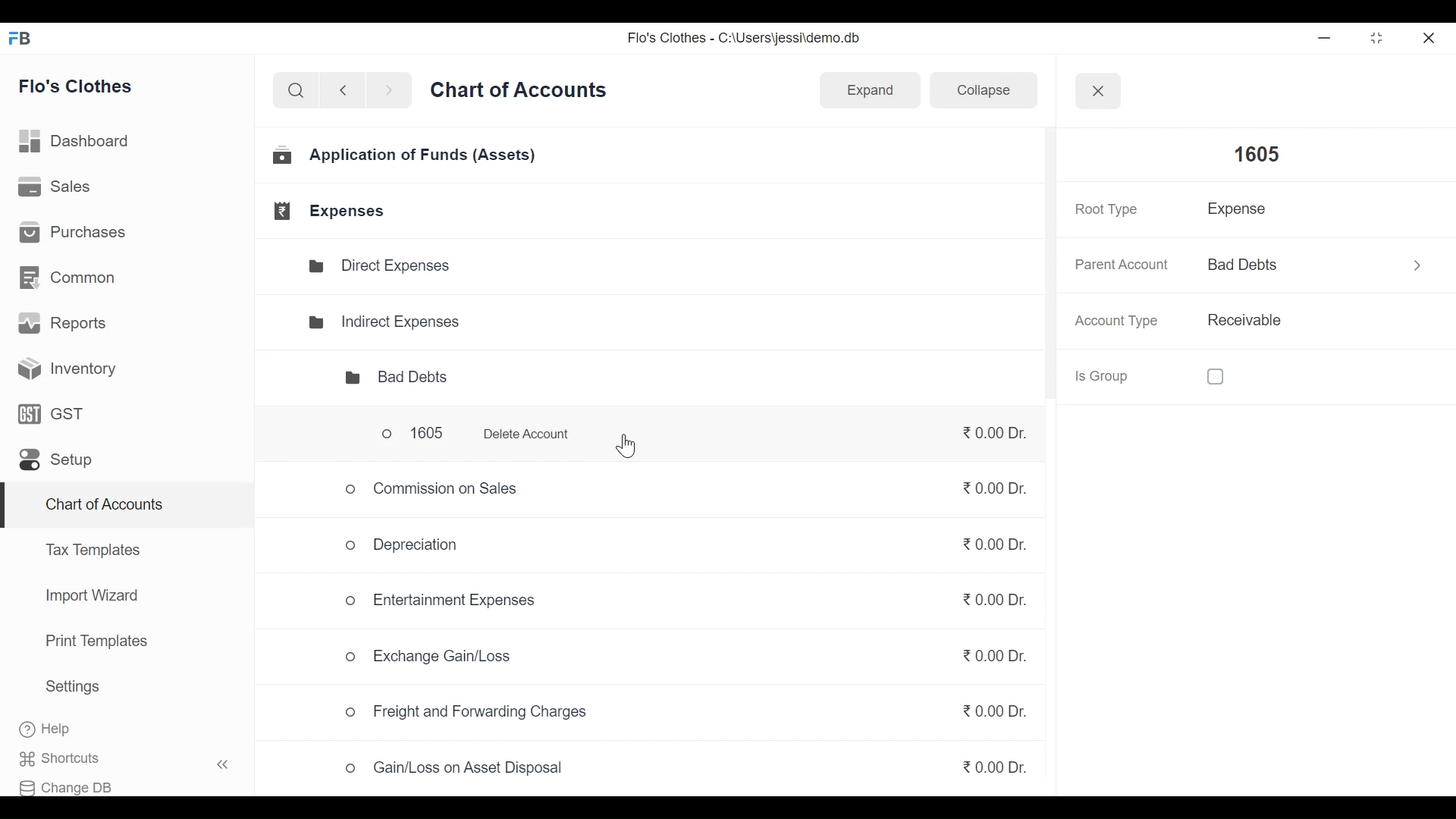  I want to click on ₹0.00 Dr., so click(984, 661).